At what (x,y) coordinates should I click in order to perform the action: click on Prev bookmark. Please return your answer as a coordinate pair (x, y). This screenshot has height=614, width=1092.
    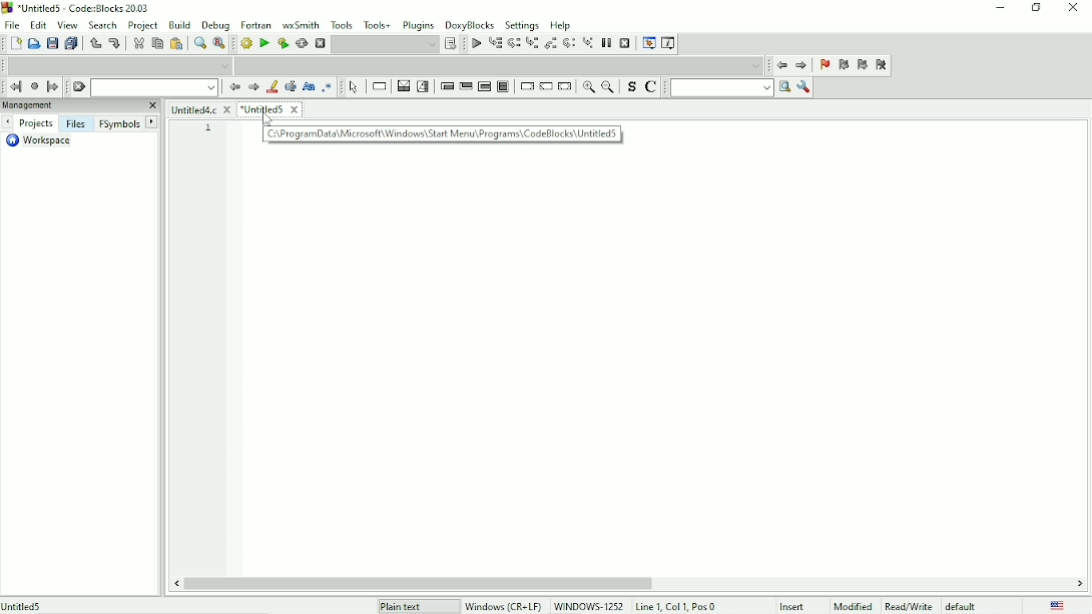
    Looking at the image, I should click on (843, 67).